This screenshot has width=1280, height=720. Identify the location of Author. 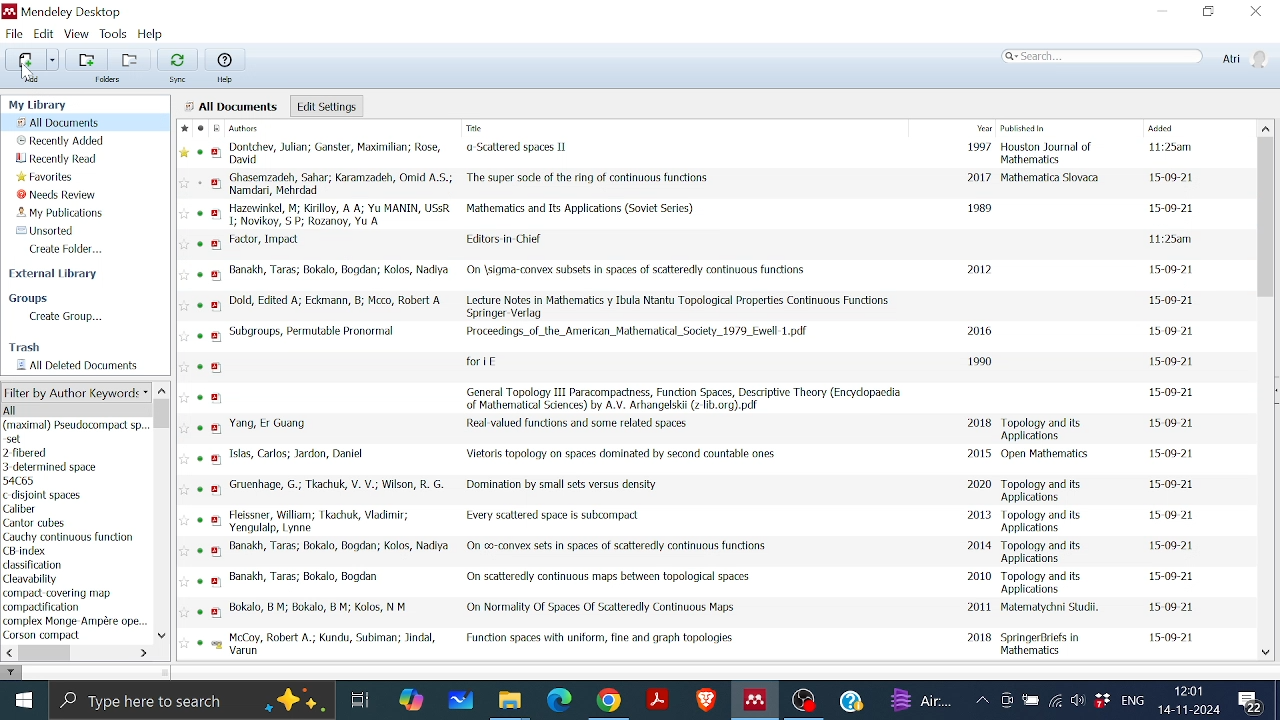
(342, 271).